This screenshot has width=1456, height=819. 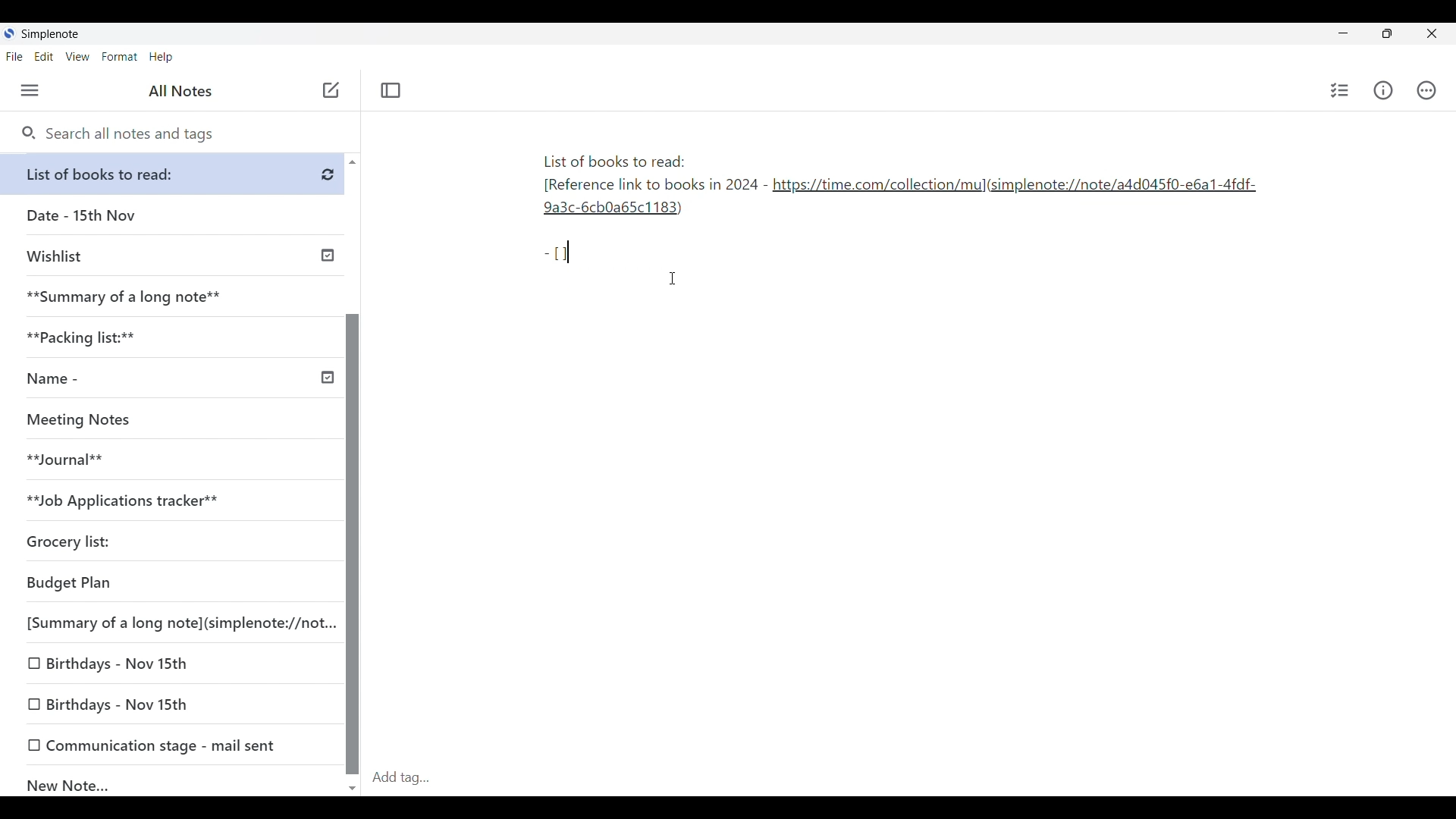 I want to click on **Journal**, so click(x=168, y=460).